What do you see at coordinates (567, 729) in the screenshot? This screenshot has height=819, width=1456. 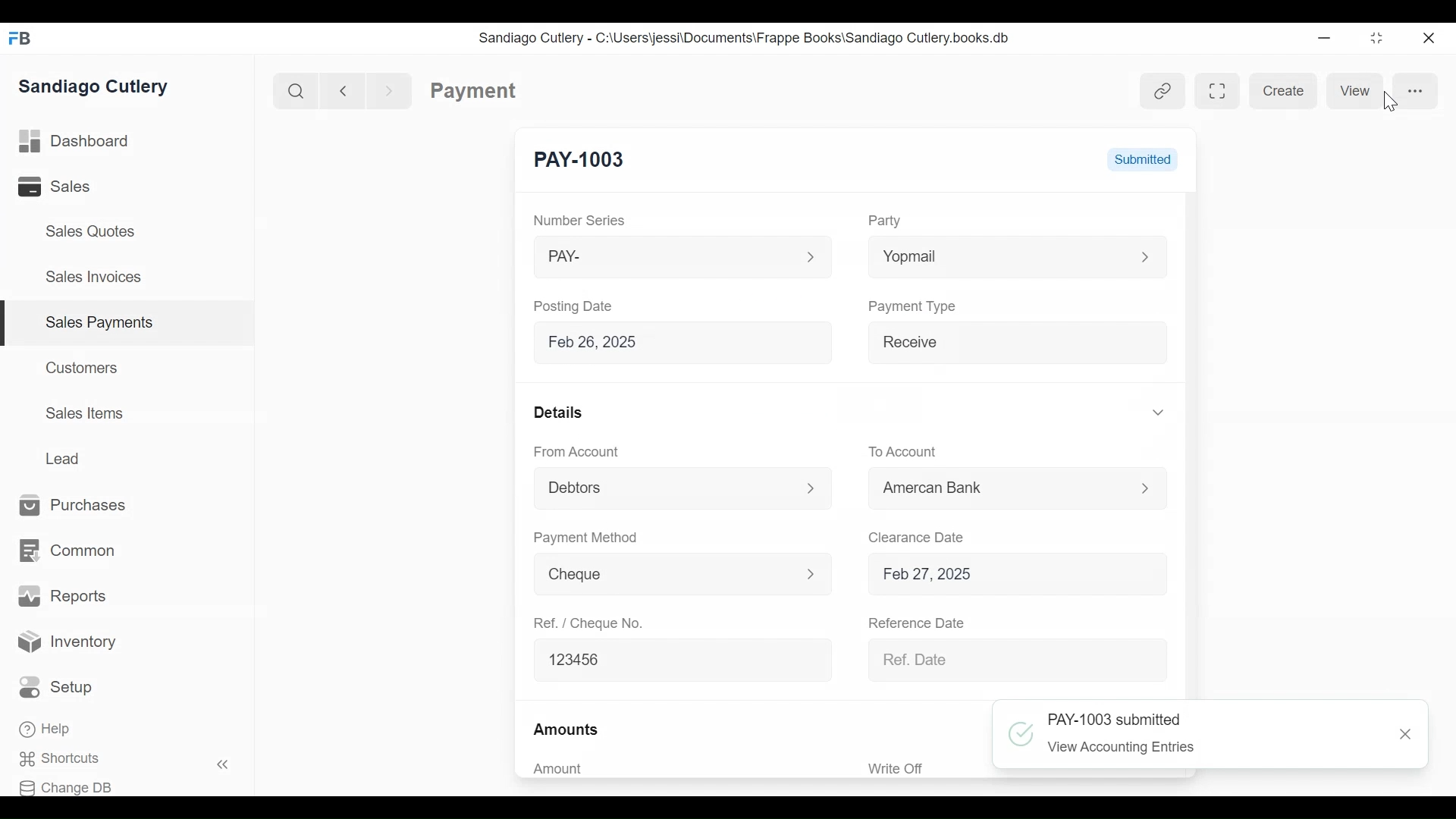 I see `Amounts` at bounding box center [567, 729].